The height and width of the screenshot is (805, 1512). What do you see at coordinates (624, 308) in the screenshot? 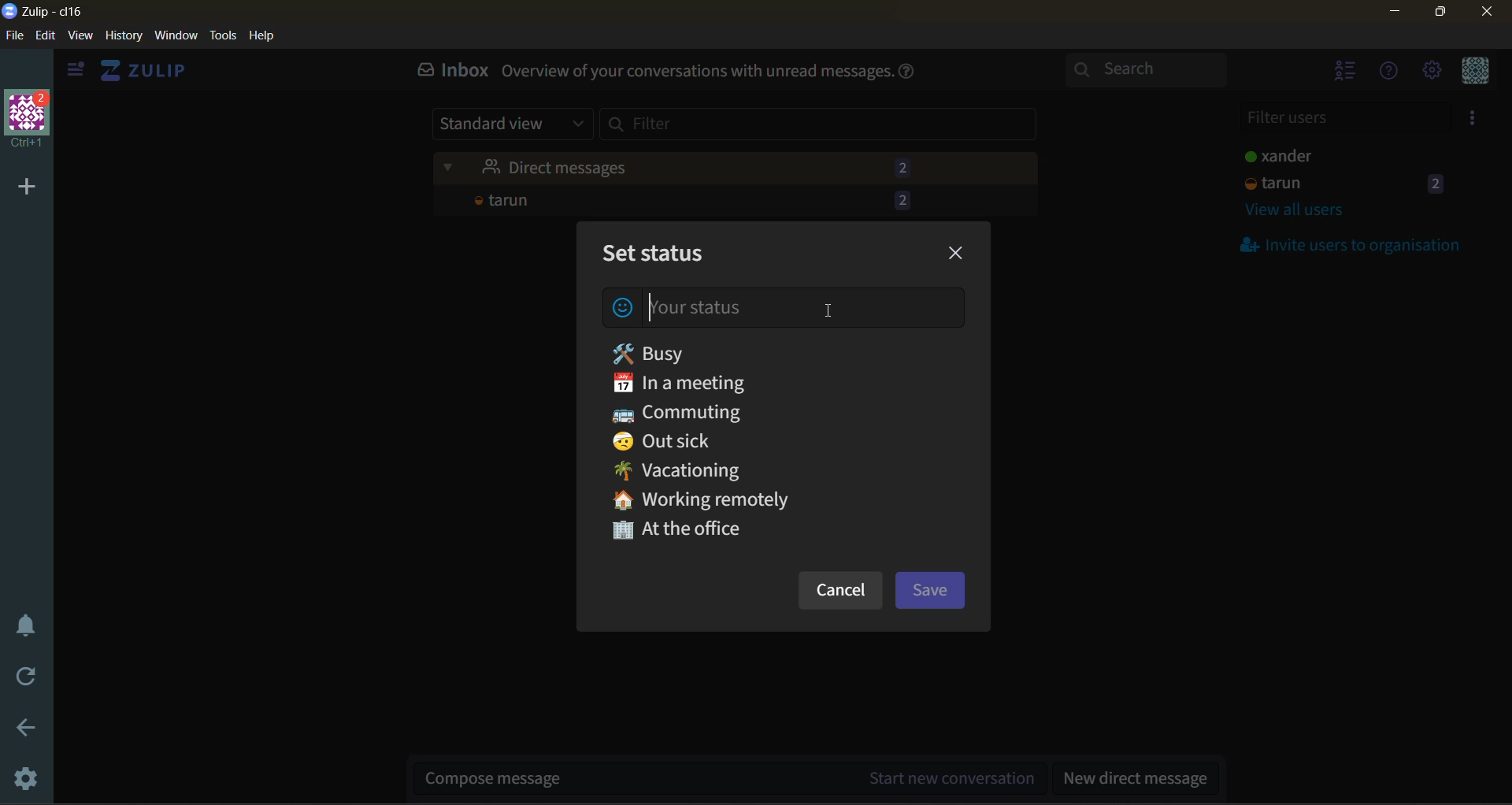
I see `add emoji` at bounding box center [624, 308].